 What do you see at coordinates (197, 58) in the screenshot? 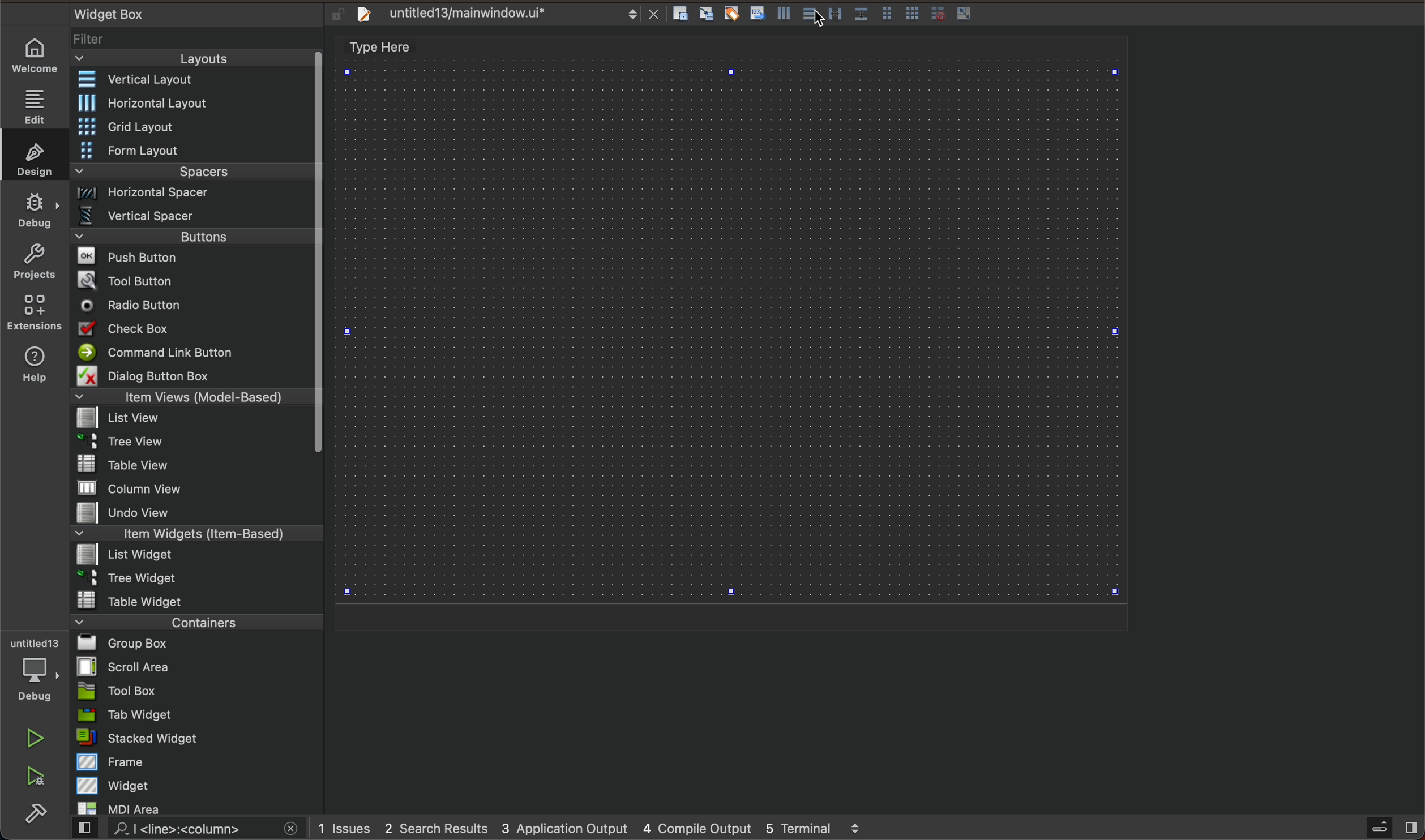
I see `layouts` at bounding box center [197, 58].